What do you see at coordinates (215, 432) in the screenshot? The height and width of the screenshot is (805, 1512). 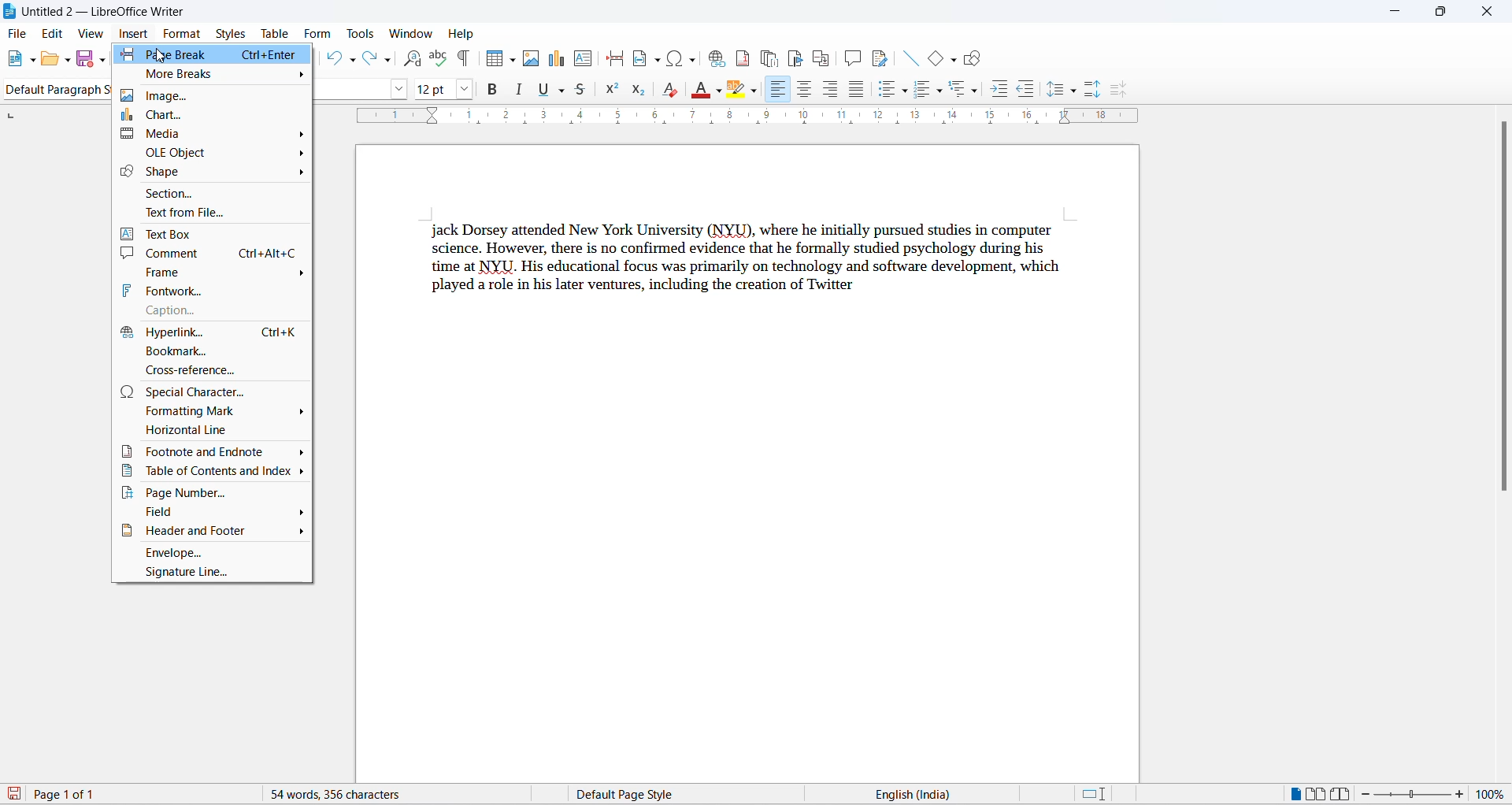 I see `horizontal line` at bounding box center [215, 432].